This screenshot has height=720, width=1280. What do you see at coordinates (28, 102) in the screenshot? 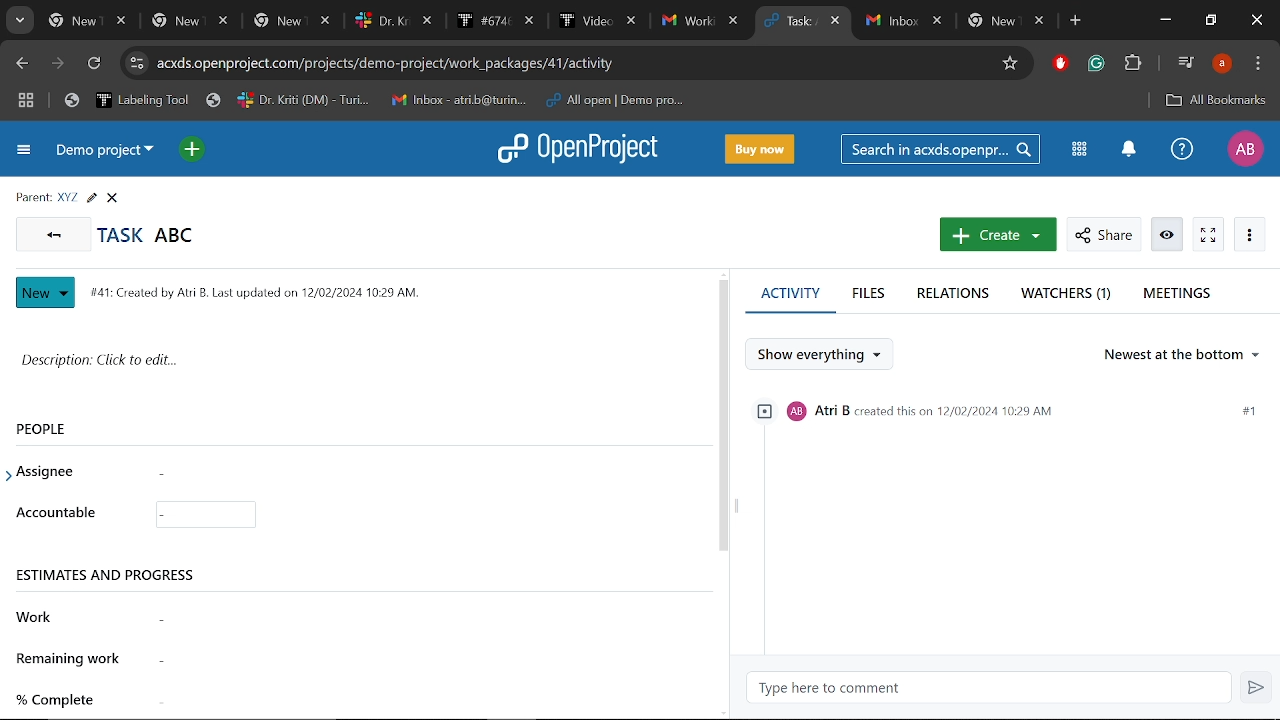
I see `Tab groups` at bounding box center [28, 102].